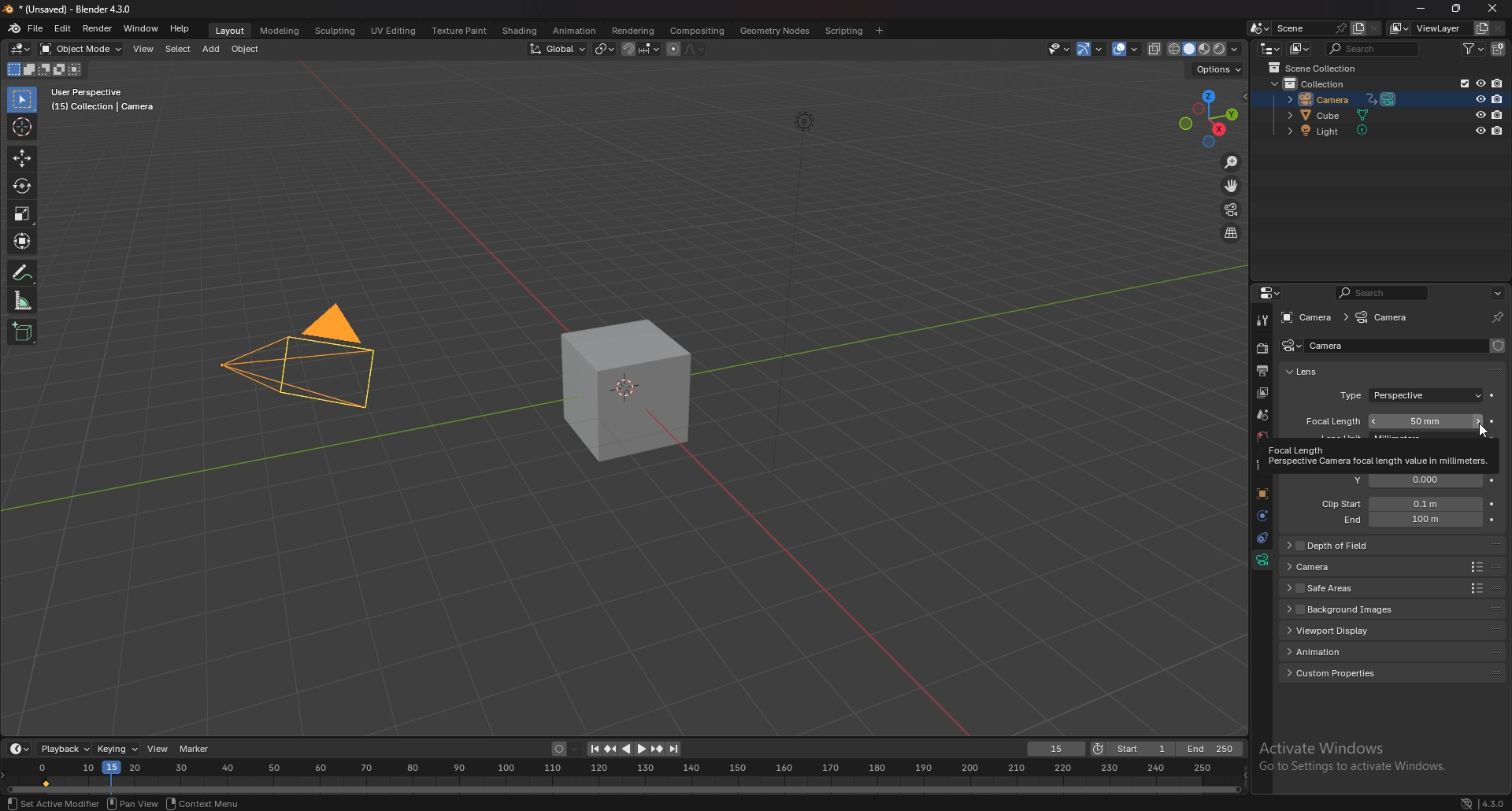 The height and width of the screenshot is (811, 1512). What do you see at coordinates (1056, 750) in the screenshot?
I see `current frame` at bounding box center [1056, 750].